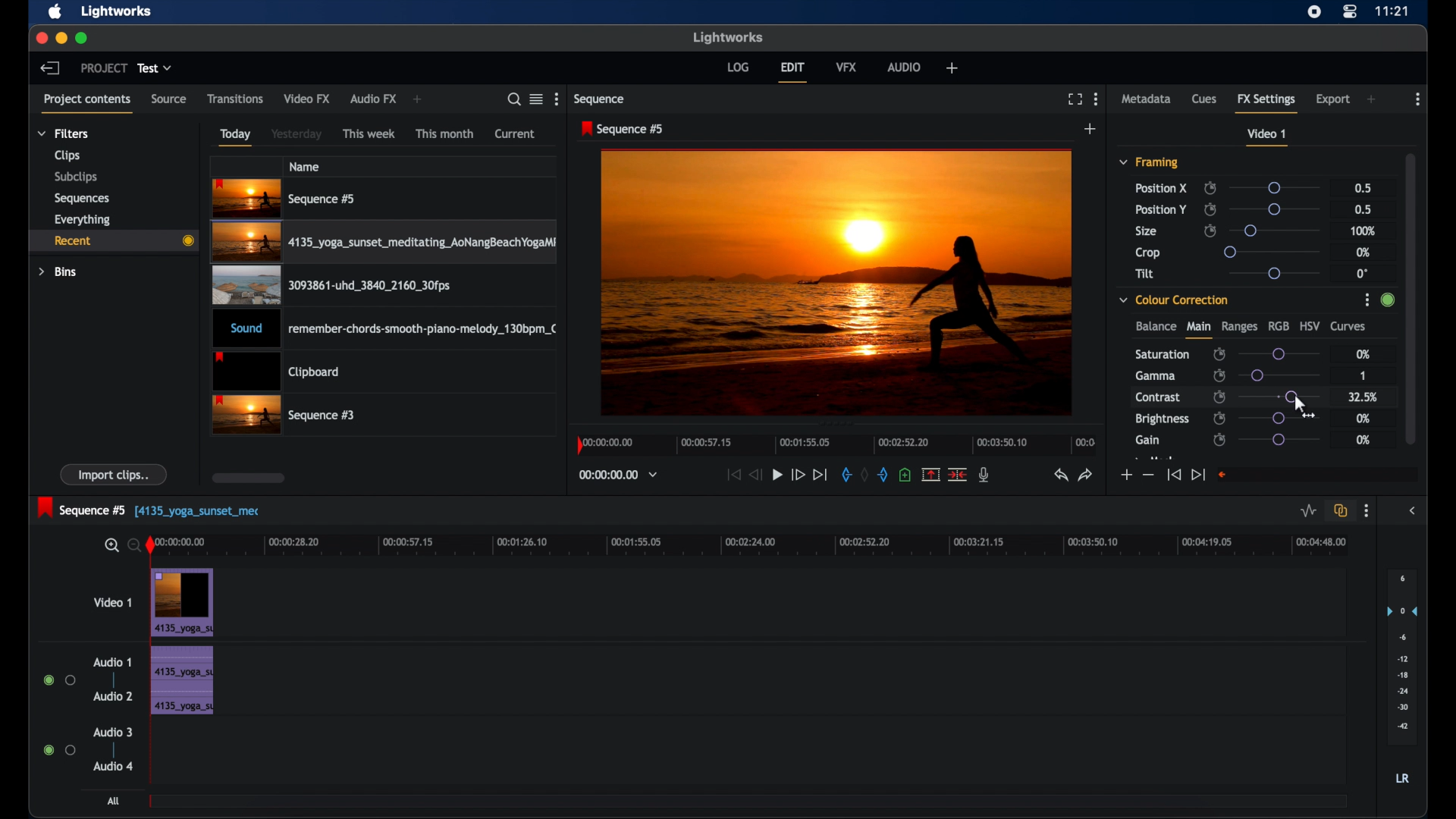 The width and height of the screenshot is (1456, 819). Describe the element at coordinates (1198, 330) in the screenshot. I see `main` at that location.